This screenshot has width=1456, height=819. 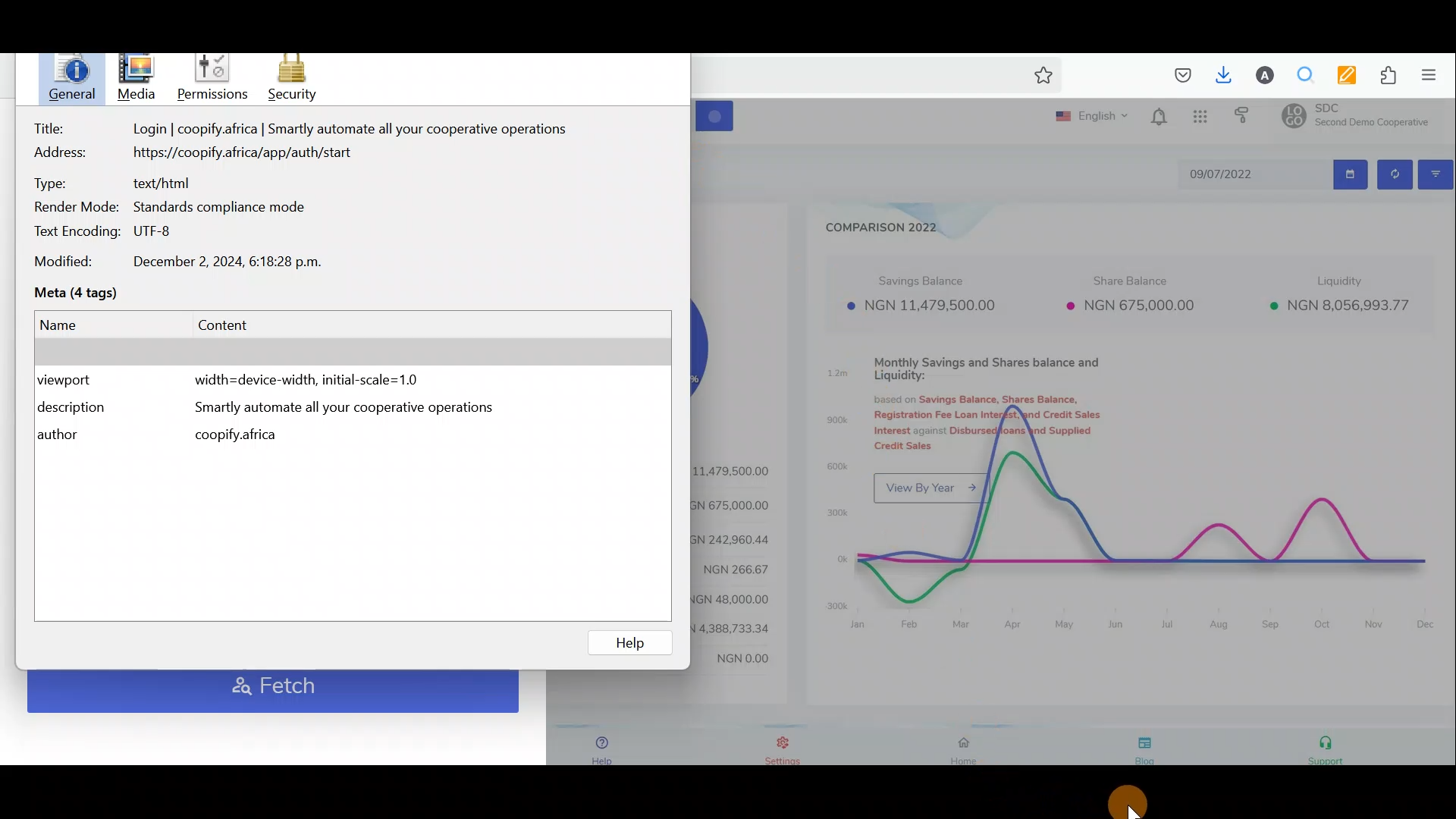 I want to click on Dashboard with charts, so click(x=1075, y=438).